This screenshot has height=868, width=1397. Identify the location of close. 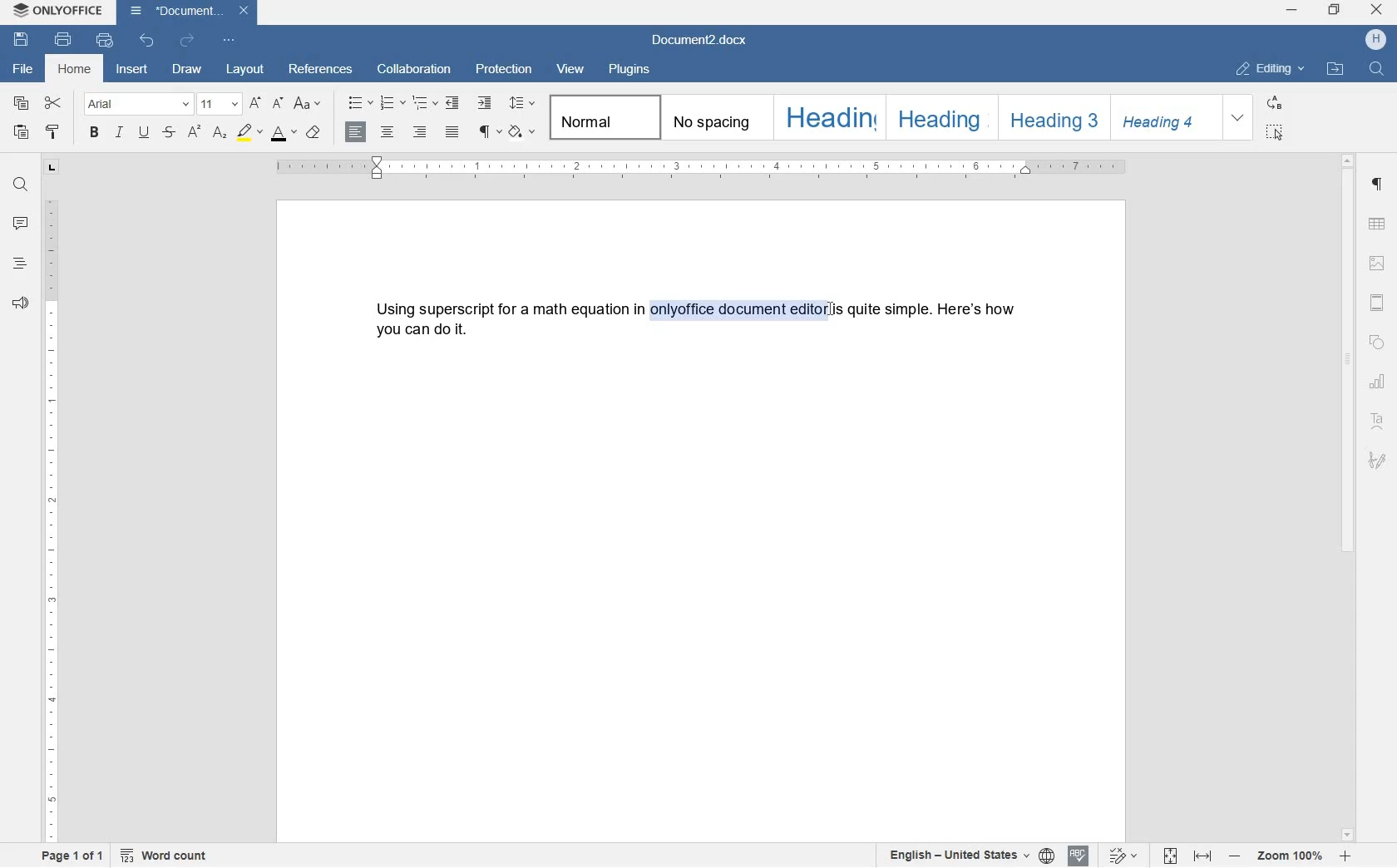
(1376, 10).